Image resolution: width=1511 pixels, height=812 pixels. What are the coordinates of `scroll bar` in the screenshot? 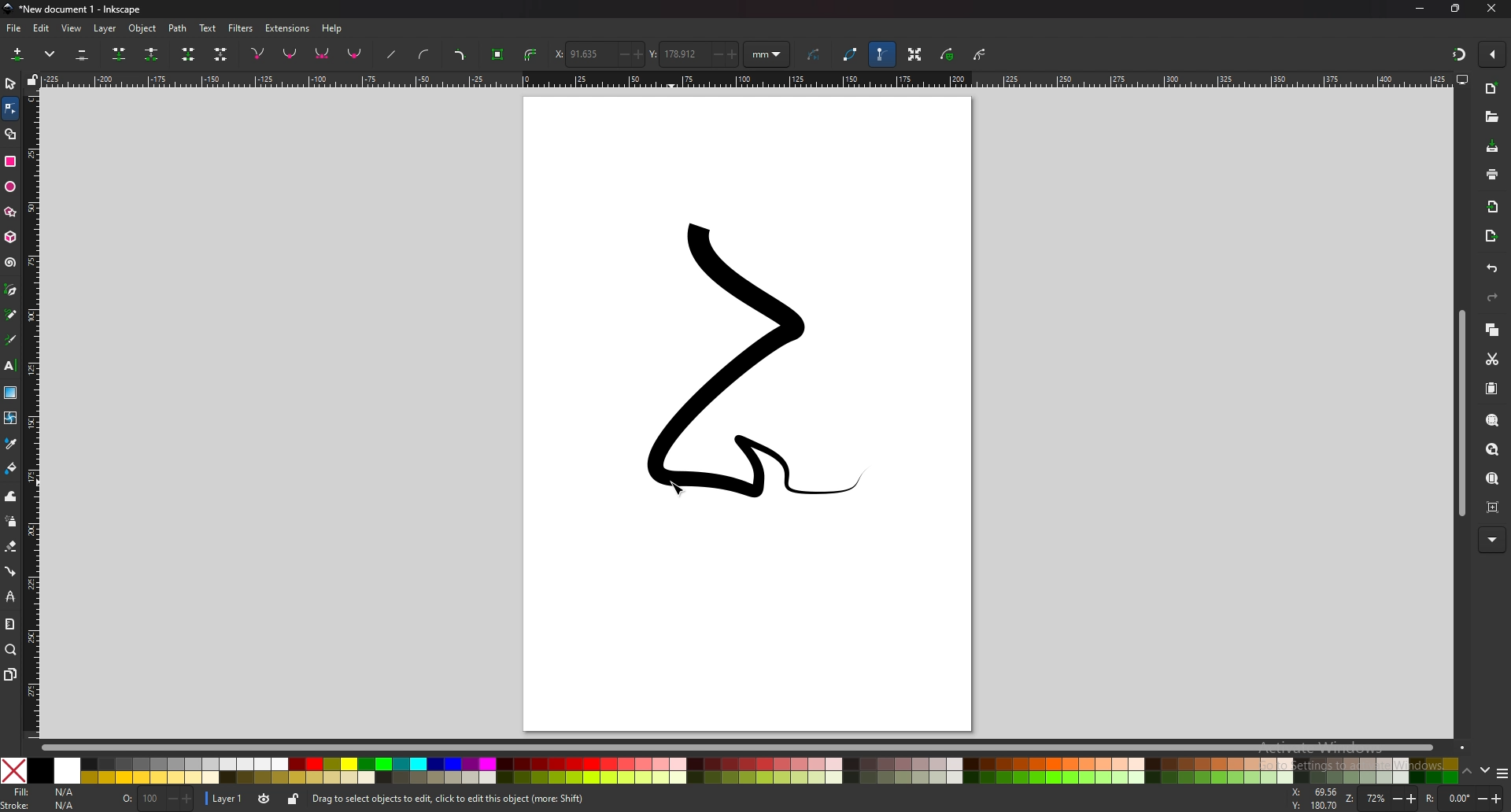 It's located at (1459, 415).